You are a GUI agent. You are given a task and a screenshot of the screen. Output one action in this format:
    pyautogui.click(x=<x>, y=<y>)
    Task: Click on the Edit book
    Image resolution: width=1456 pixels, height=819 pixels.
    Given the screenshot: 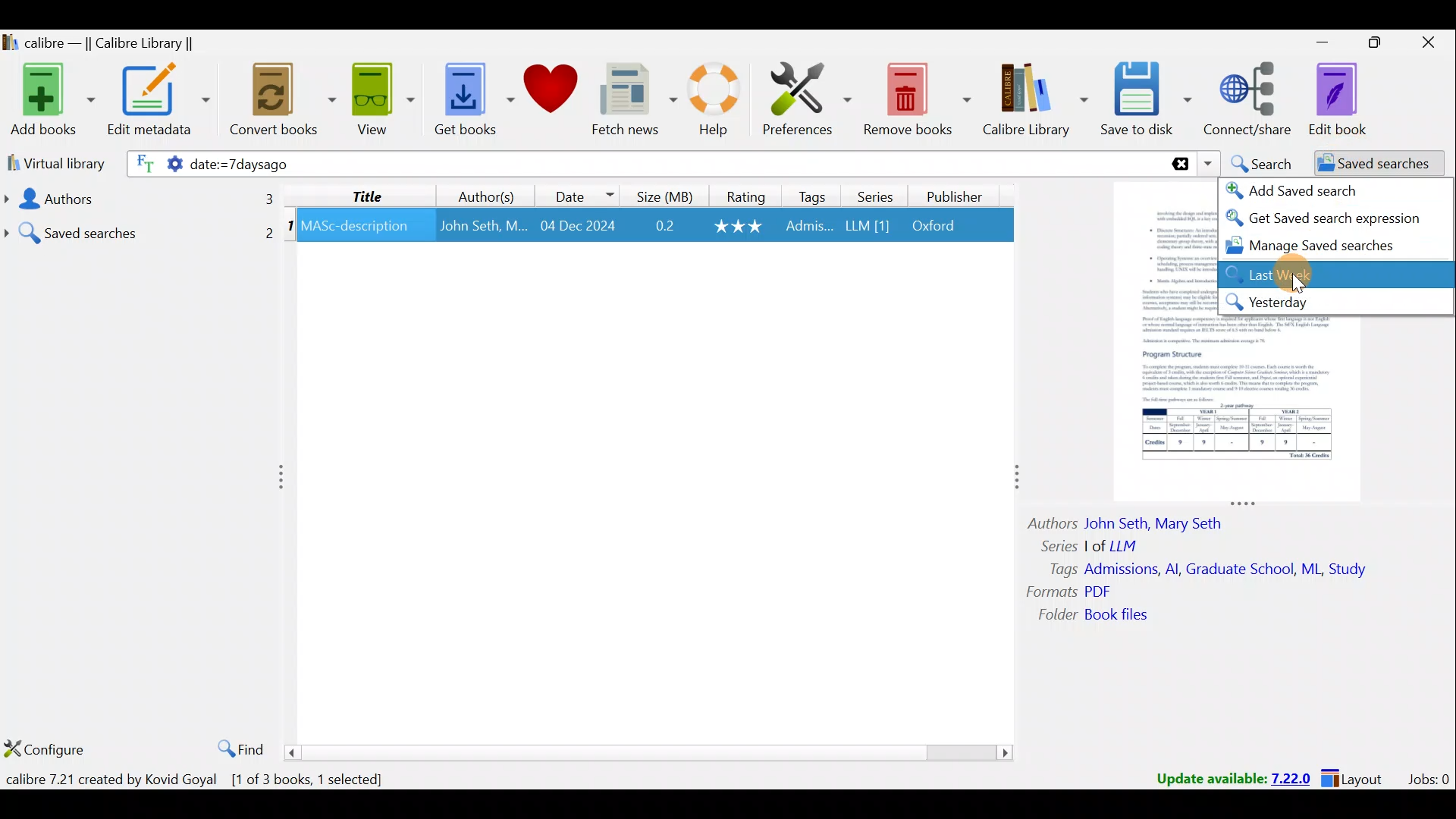 What is the action you would take?
    pyautogui.click(x=1350, y=99)
    